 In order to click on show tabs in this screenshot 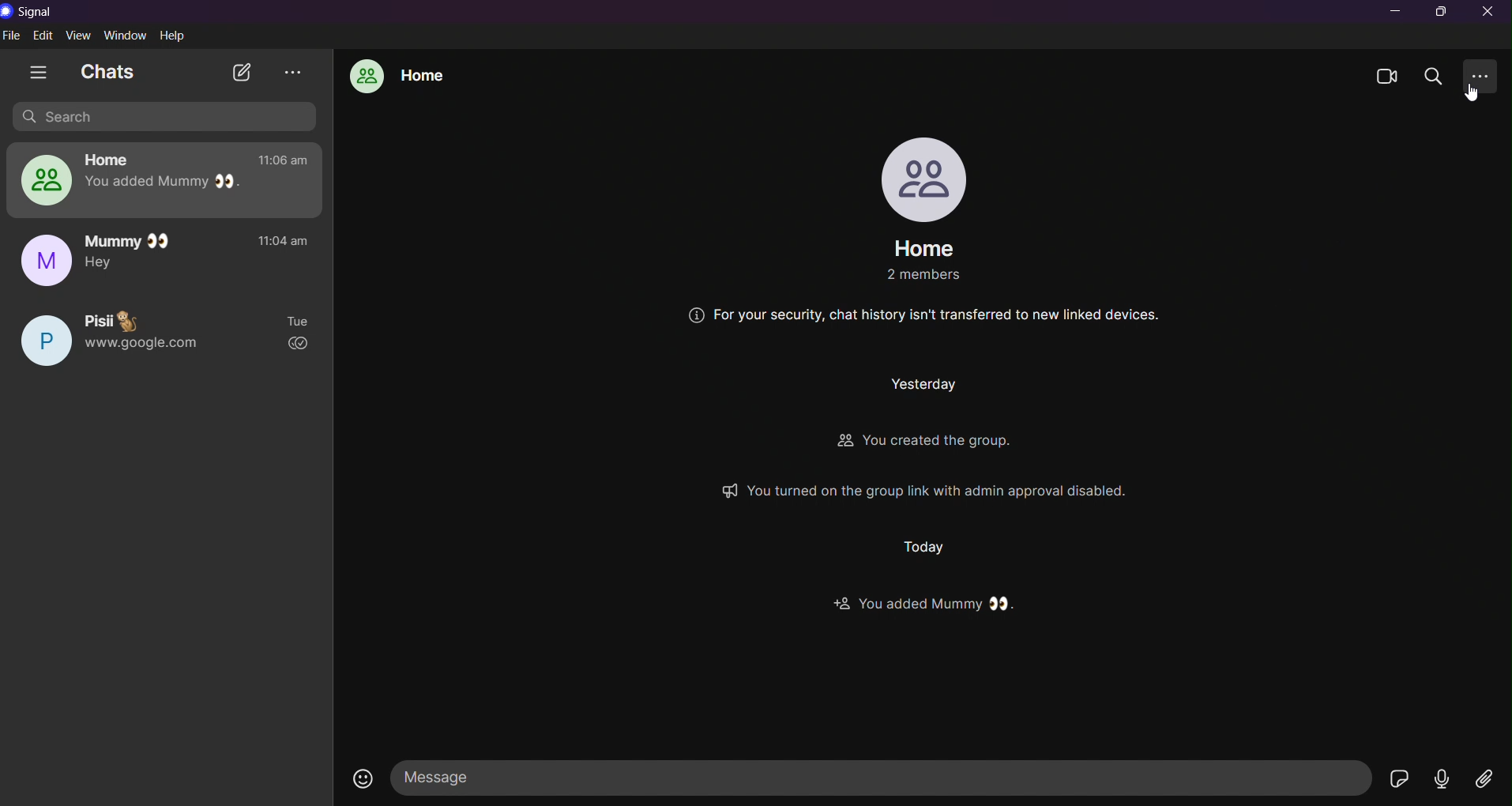, I will do `click(39, 72)`.